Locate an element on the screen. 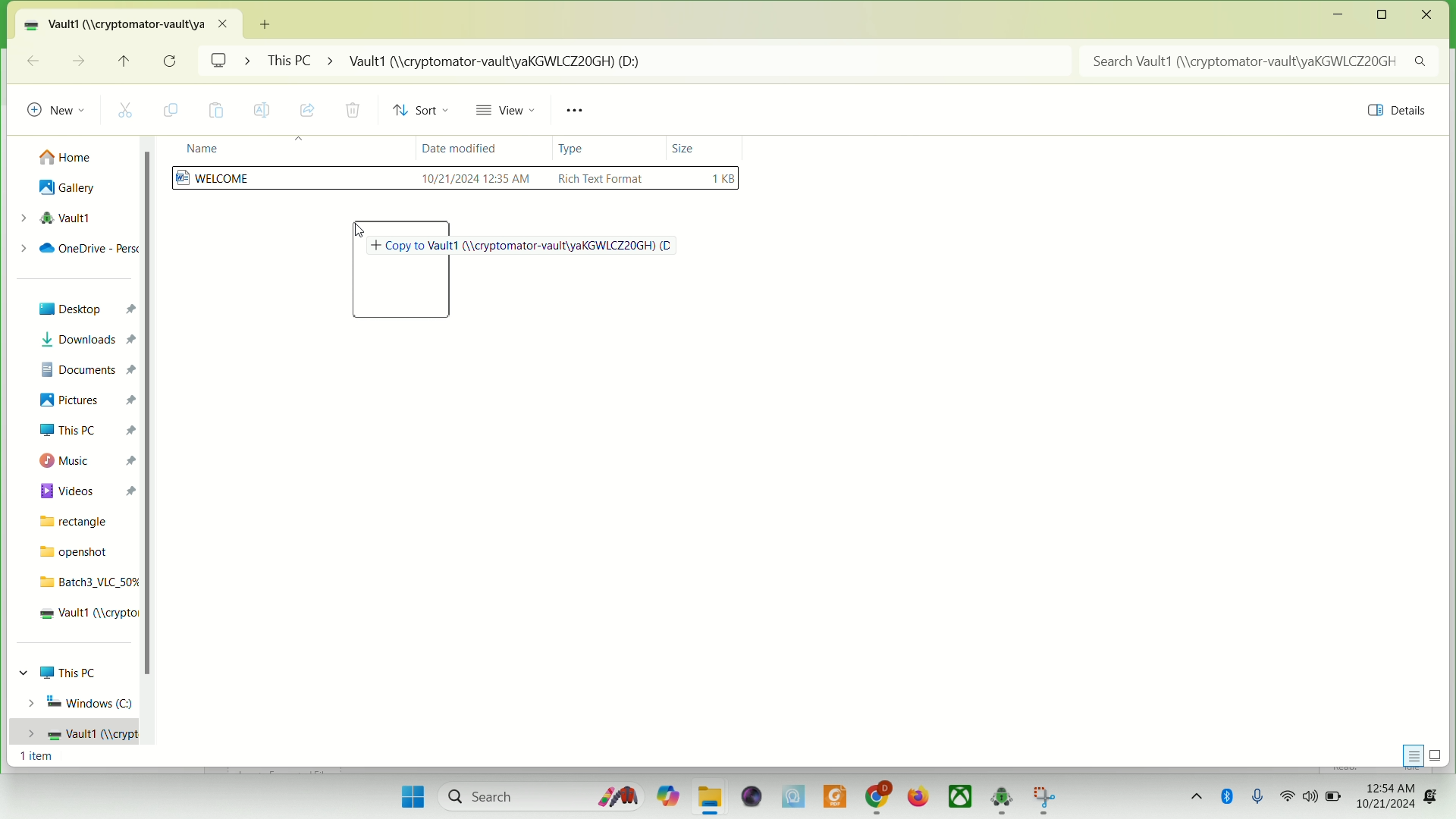 Image resolution: width=1456 pixels, height=819 pixels. Desktop is located at coordinates (83, 308).